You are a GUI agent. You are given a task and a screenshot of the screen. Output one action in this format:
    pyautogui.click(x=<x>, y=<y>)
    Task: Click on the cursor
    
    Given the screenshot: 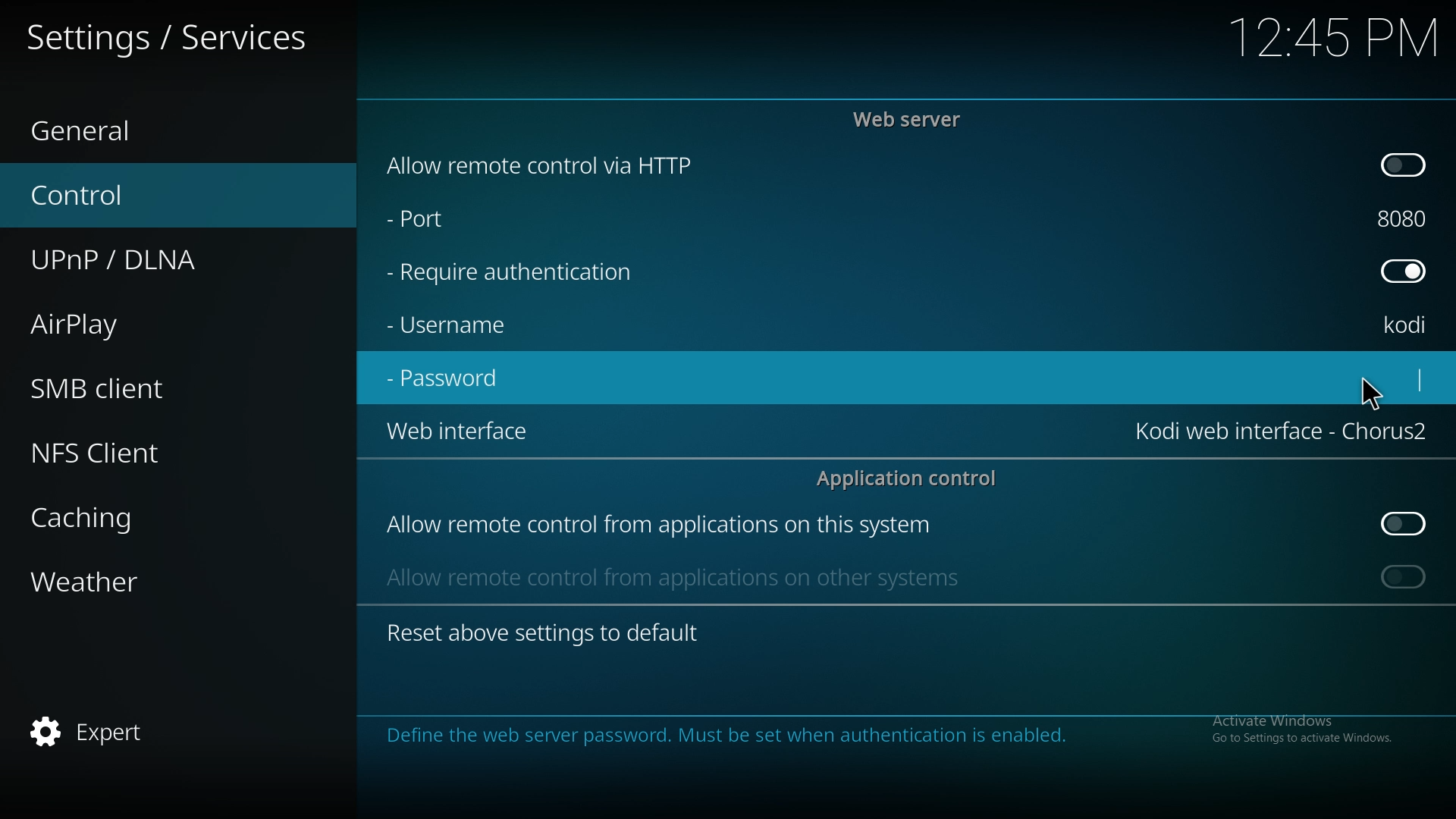 What is the action you would take?
    pyautogui.click(x=1372, y=393)
    